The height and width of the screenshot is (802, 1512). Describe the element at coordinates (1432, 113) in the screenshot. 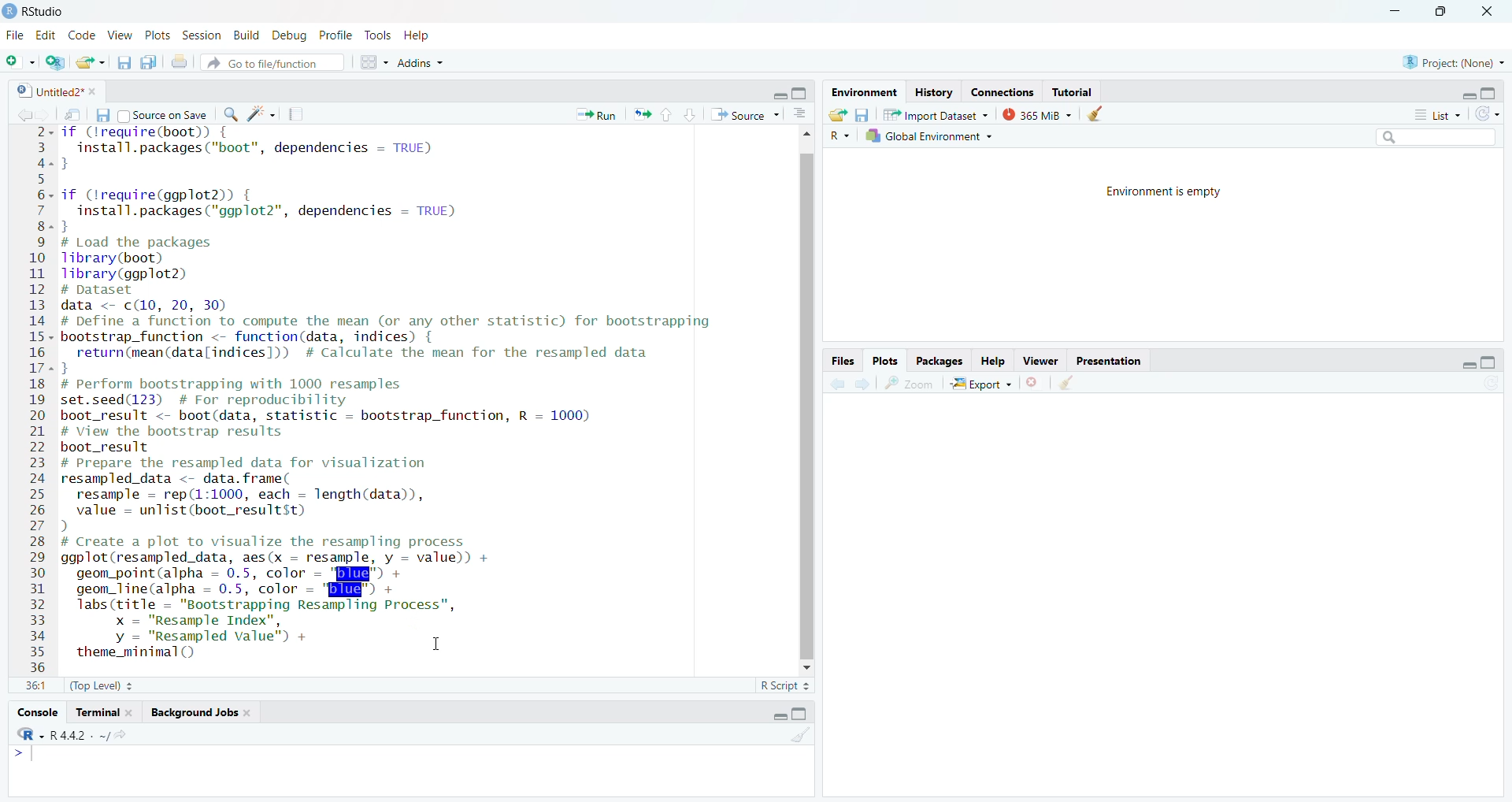

I see `List ` at that location.